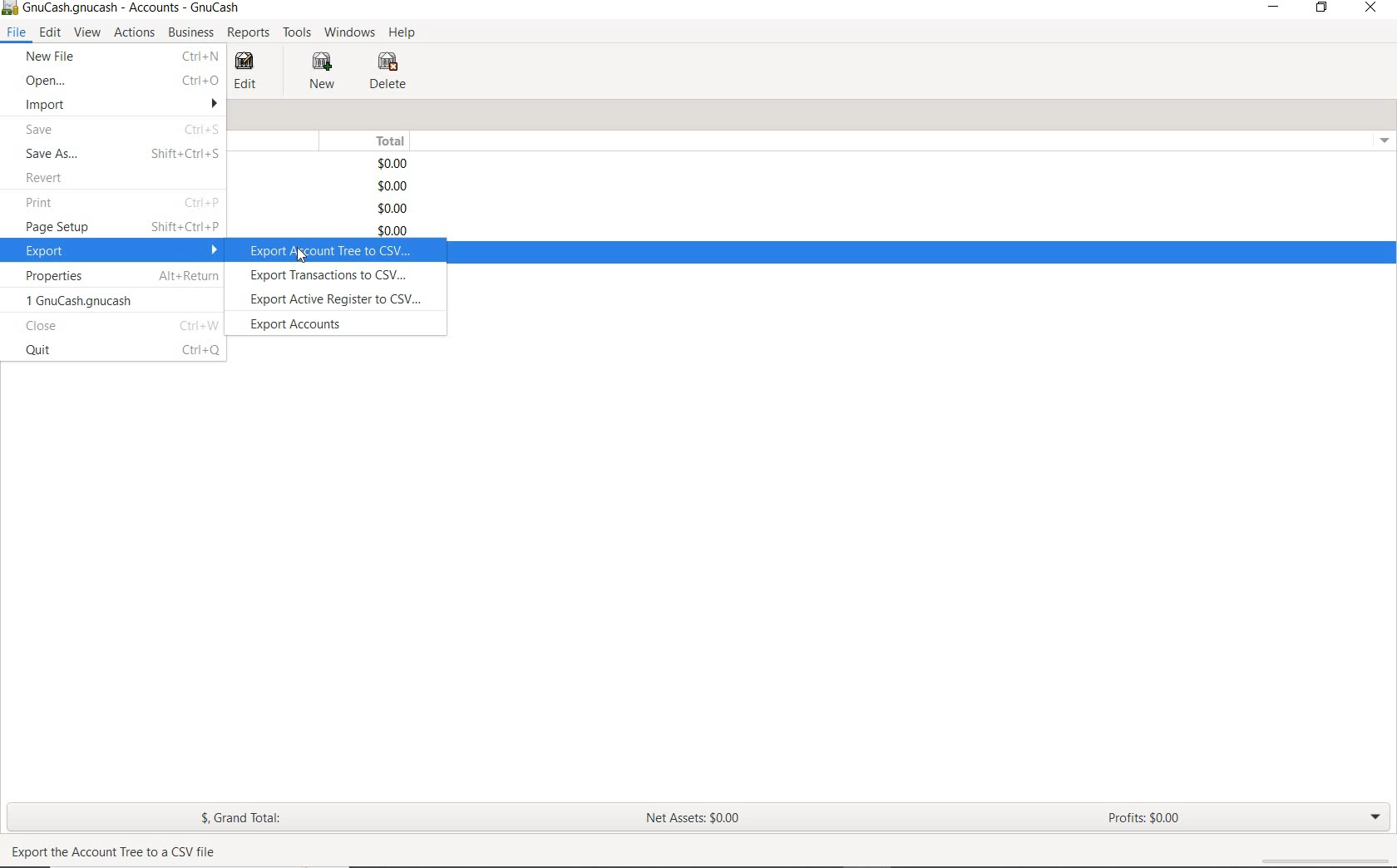  Describe the element at coordinates (697, 821) in the screenshot. I see `NET ASSETS` at that location.